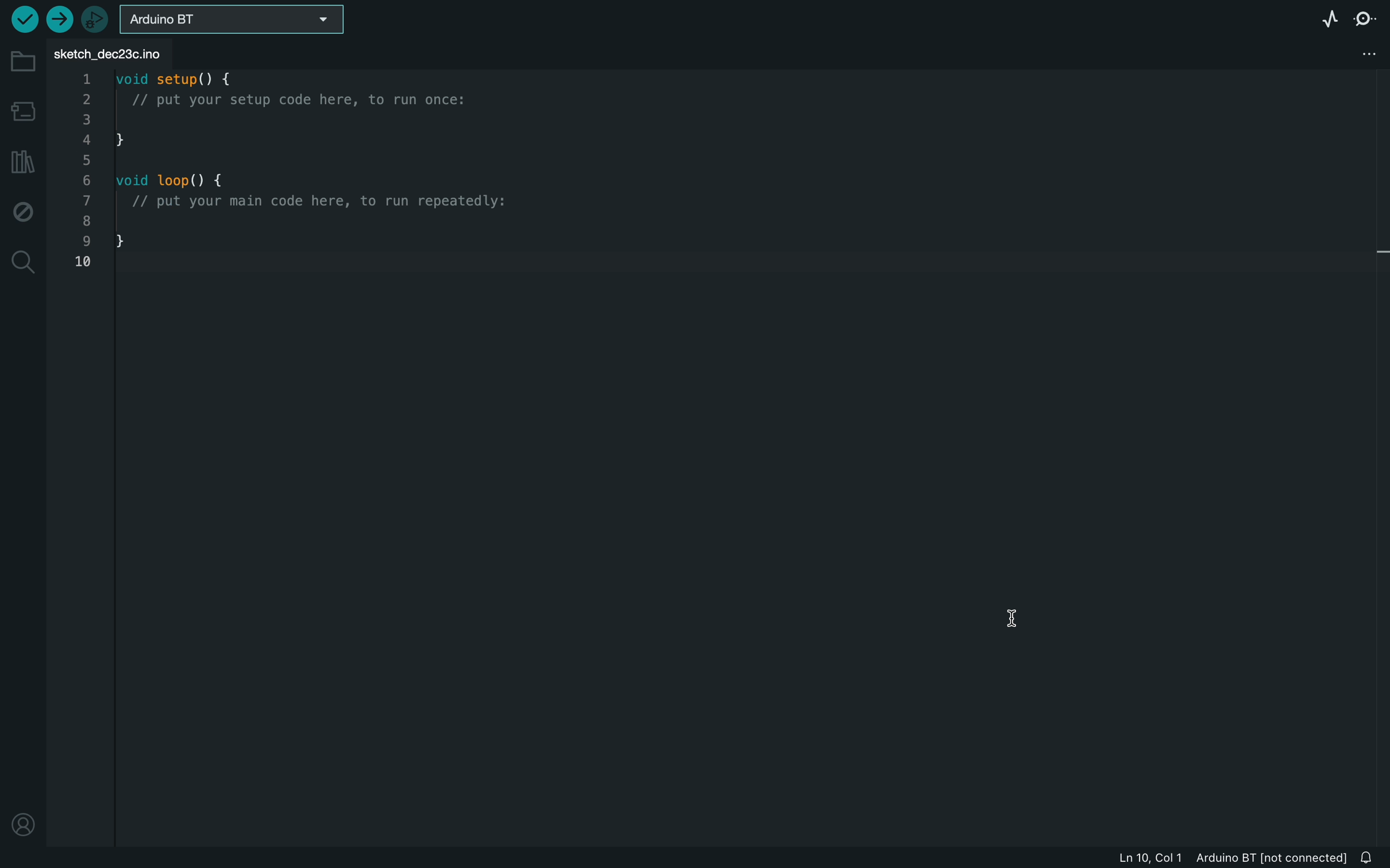  What do you see at coordinates (21, 265) in the screenshot?
I see `search` at bounding box center [21, 265].